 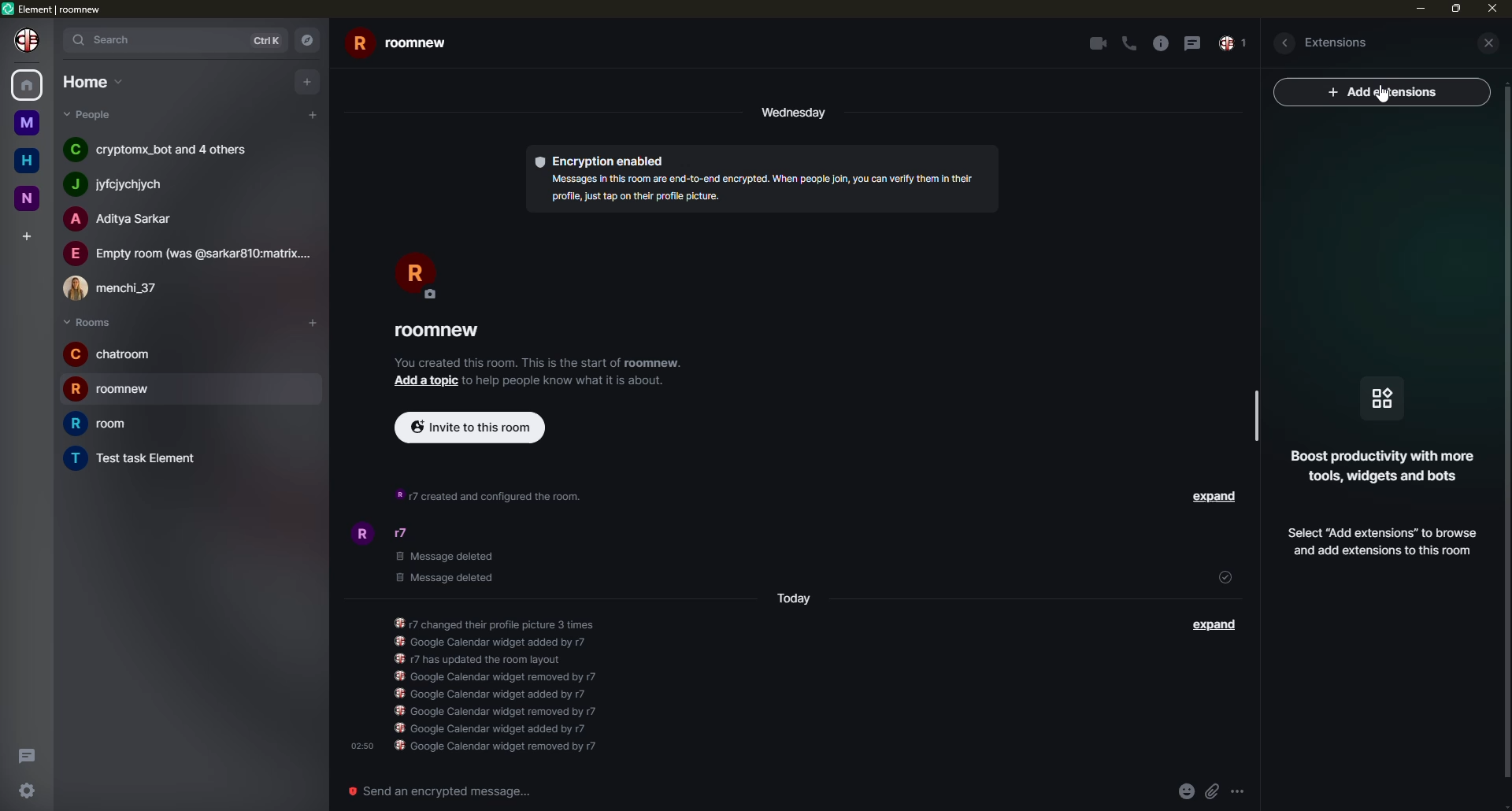 I want to click on vertical scrollbar, so click(x=1503, y=428).